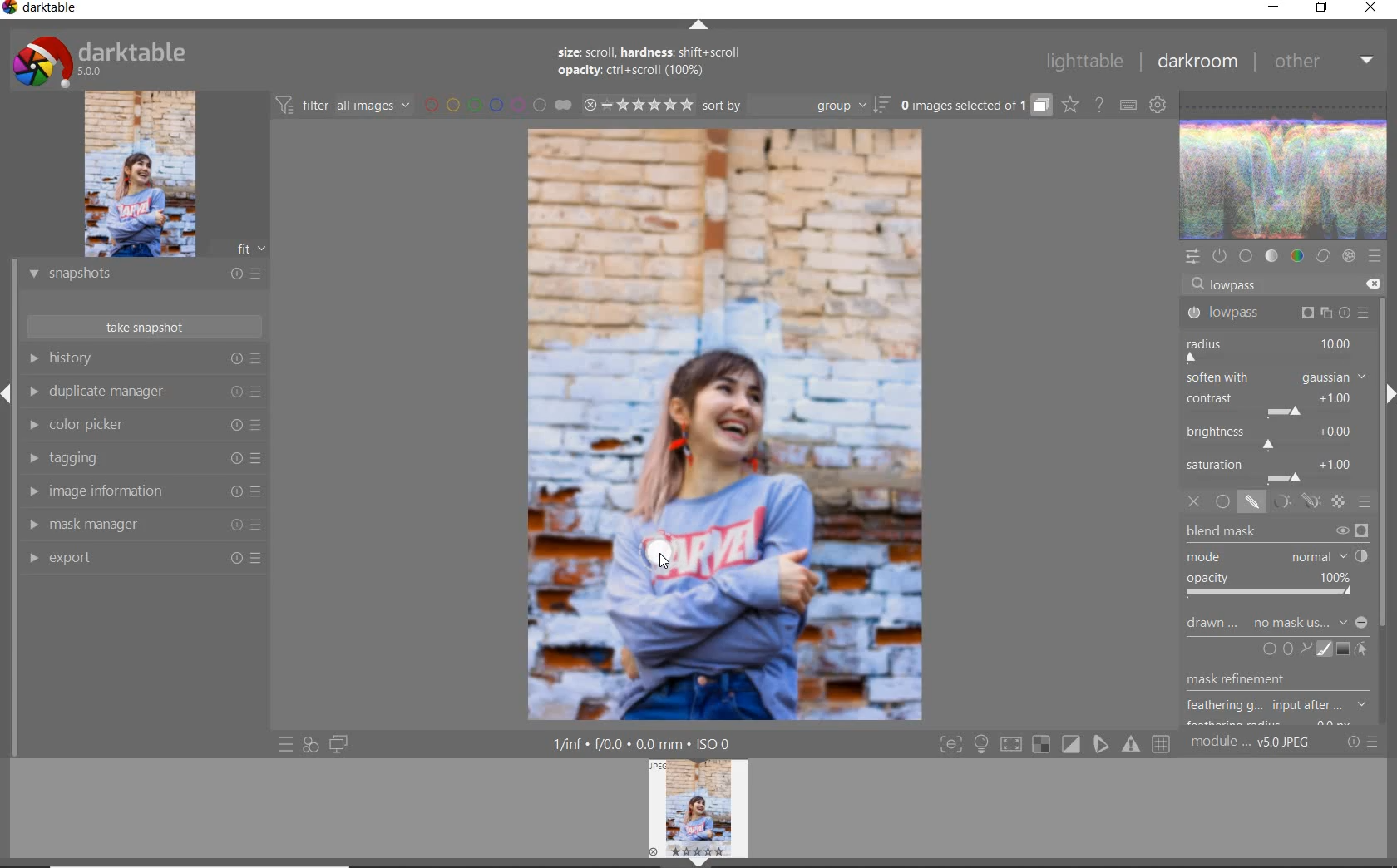 The height and width of the screenshot is (868, 1397). I want to click on mask options, so click(1293, 502).